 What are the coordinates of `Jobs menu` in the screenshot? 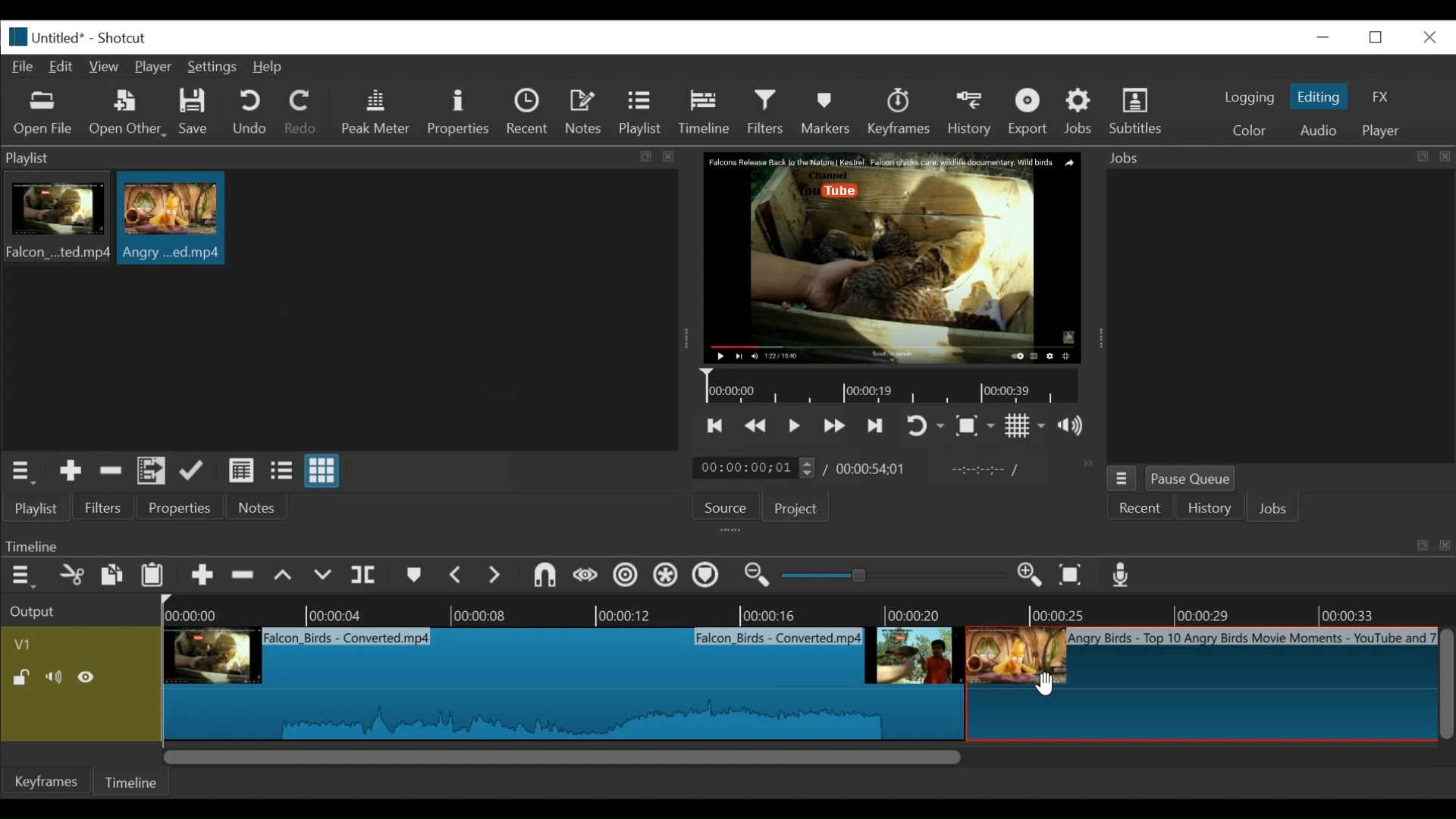 It's located at (1269, 156).